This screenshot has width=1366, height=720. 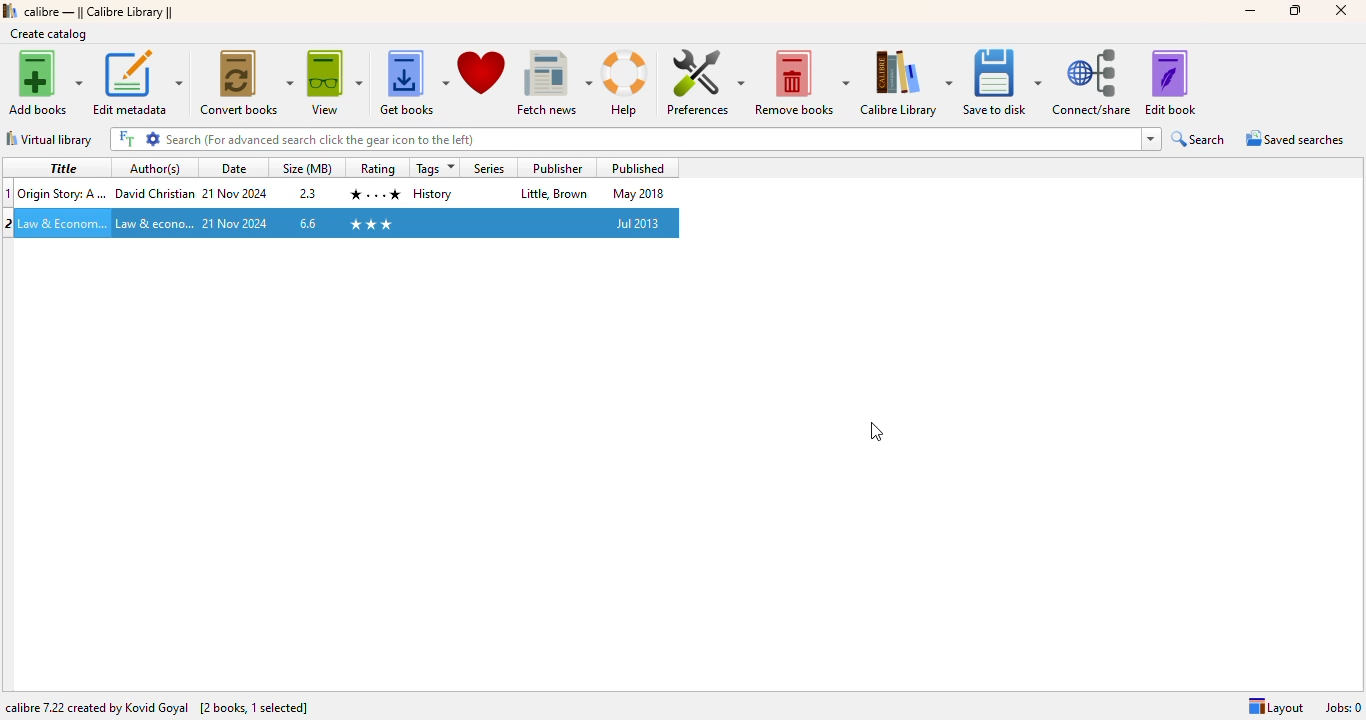 I want to click on cursor, so click(x=876, y=432).